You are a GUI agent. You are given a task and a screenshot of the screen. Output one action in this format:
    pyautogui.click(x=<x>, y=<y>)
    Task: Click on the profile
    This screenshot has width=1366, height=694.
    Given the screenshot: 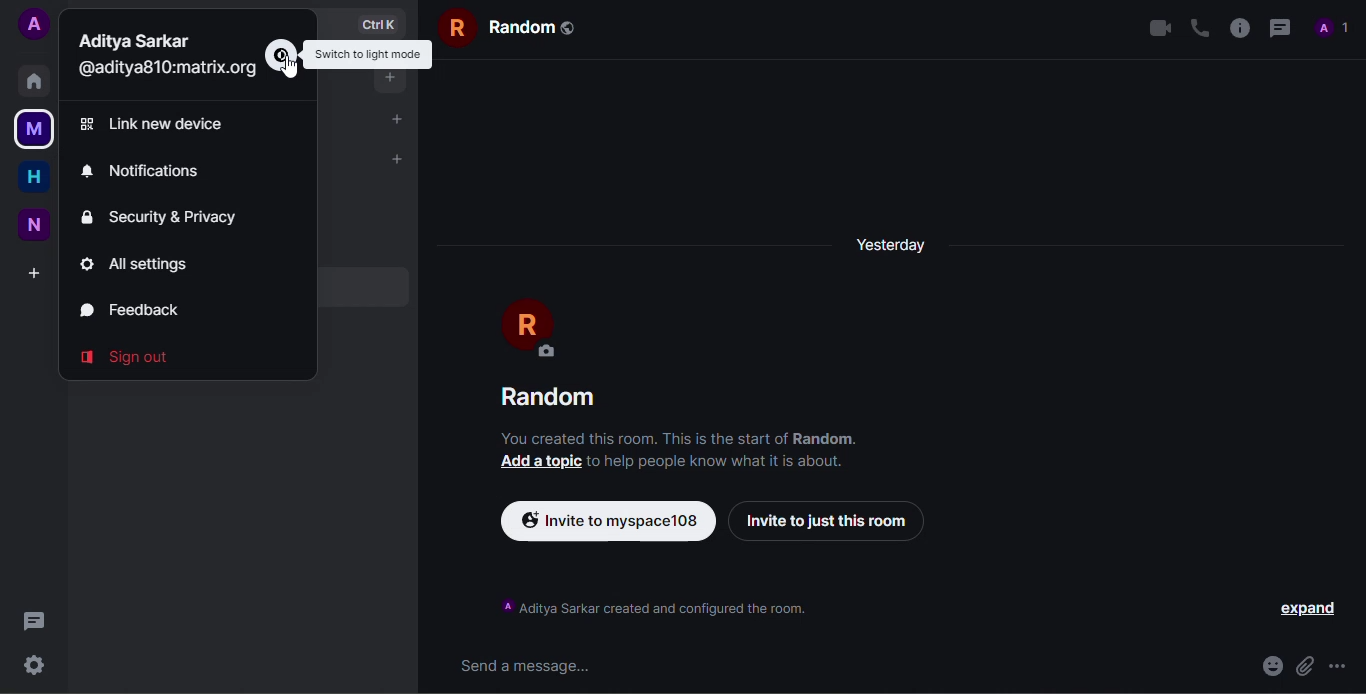 What is the action you would take?
    pyautogui.click(x=1336, y=27)
    